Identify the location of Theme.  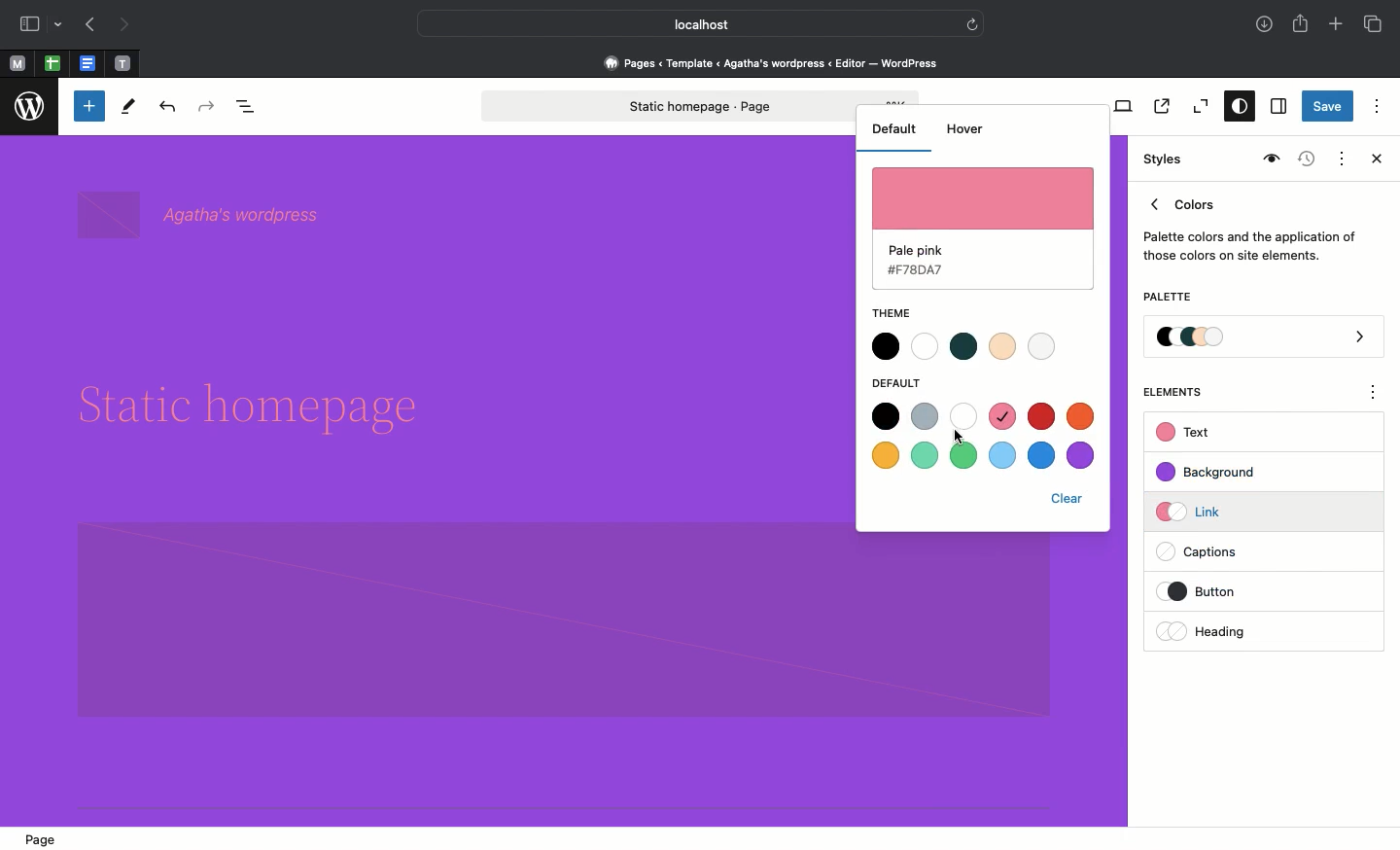
(901, 313).